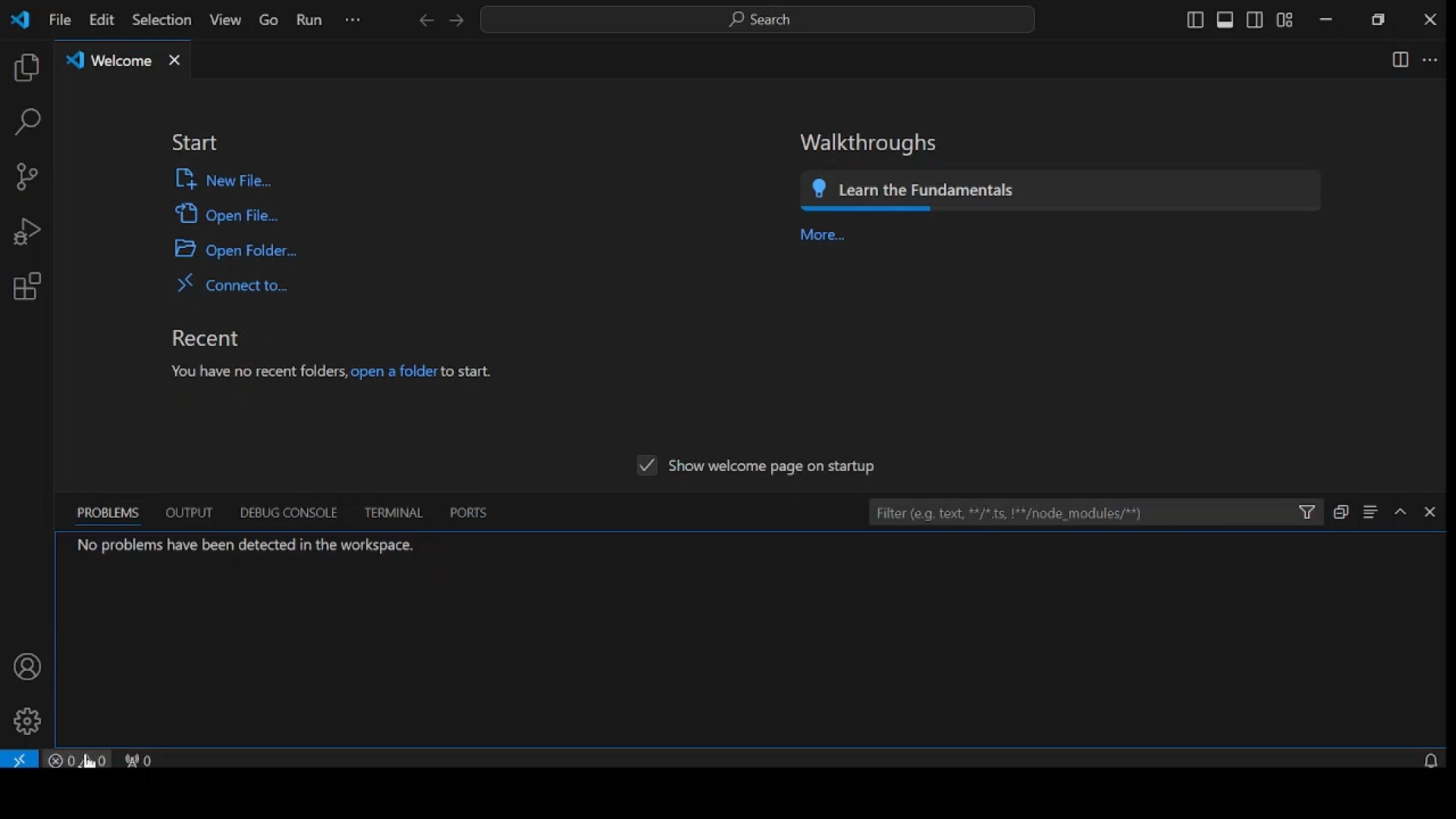 Image resolution: width=1456 pixels, height=819 pixels. Describe the element at coordinates (236, 249) in the screenshot. I see `open a folder` at that location.